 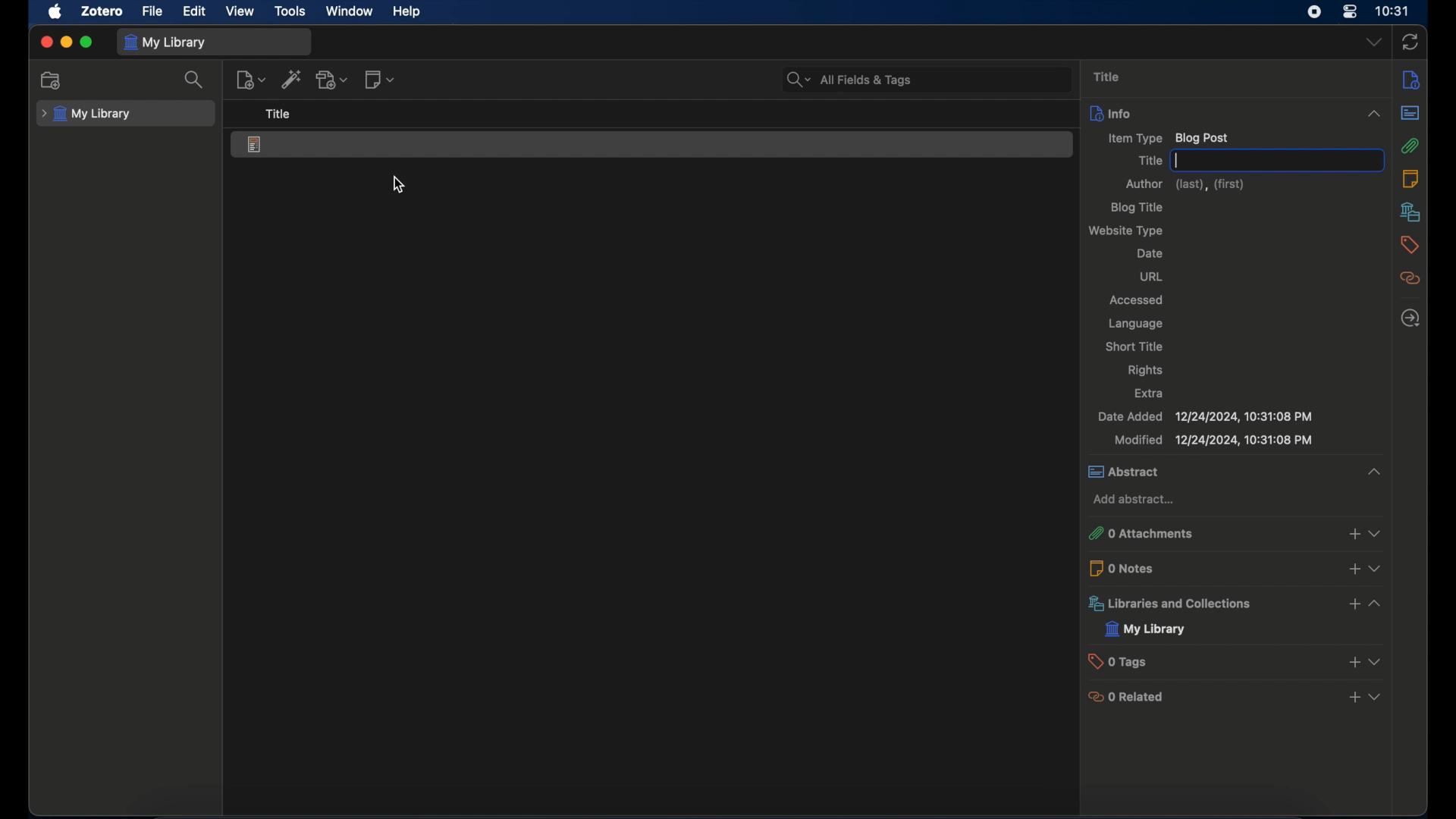 What do you see at coordinates (51, 80) in the screenshot?
I see `new collection` at bounding box center [51, 80].